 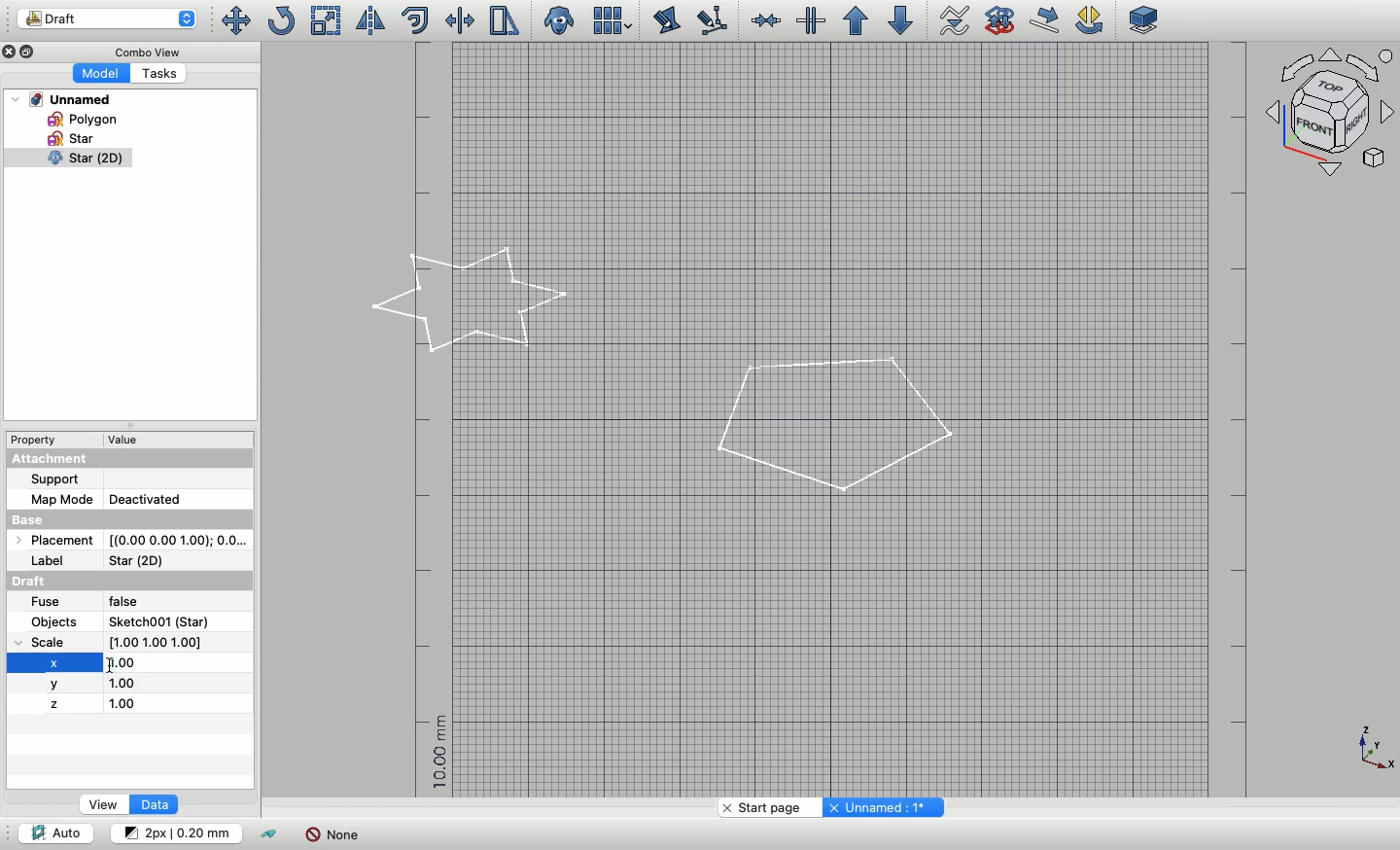 What do you see at coordinates (1046, 19) in the screenshot?
I see `Draft move` at bounding box center [1046, 19].